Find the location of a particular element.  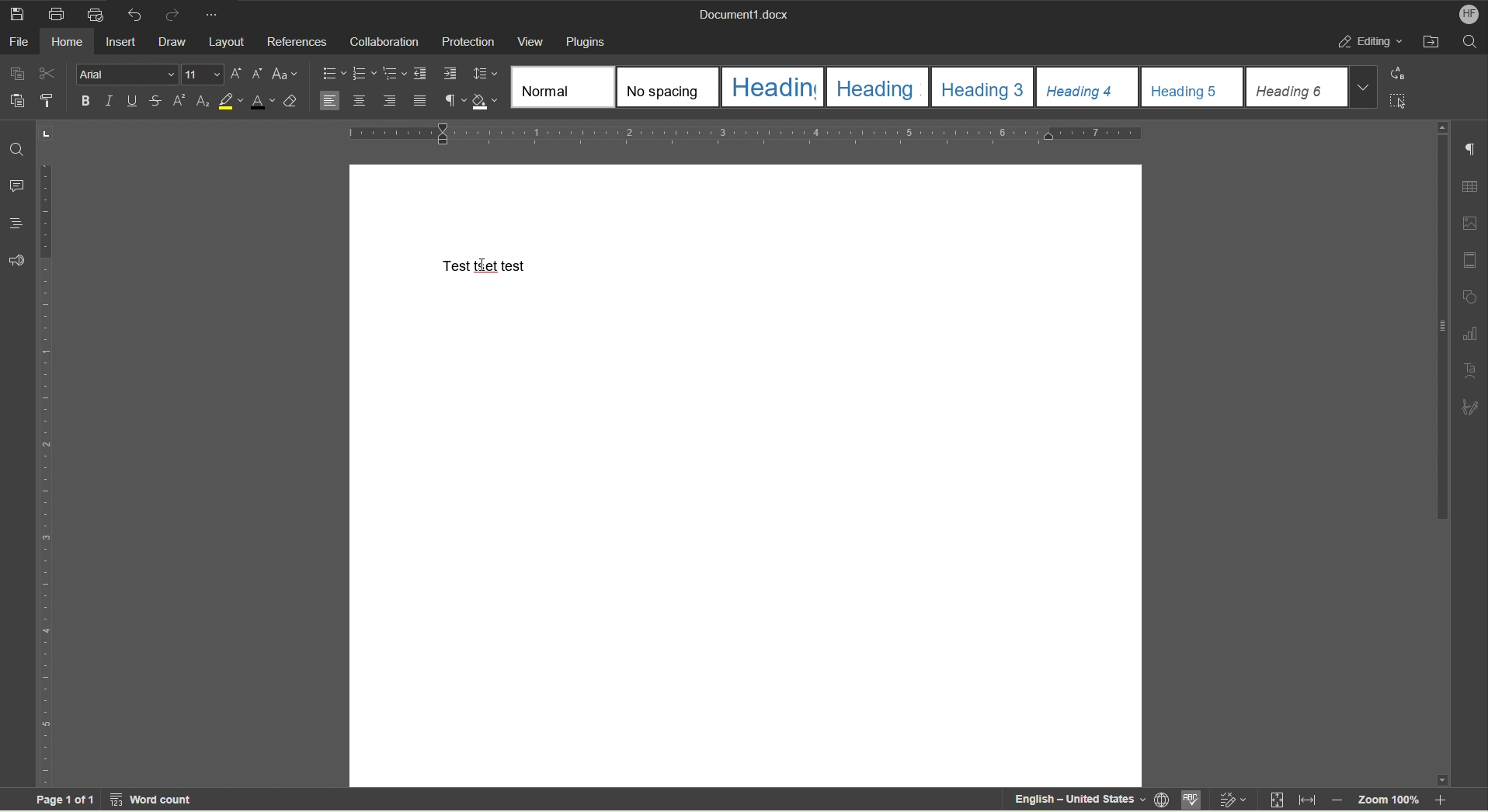

Heading 3 is located at coordinates (985, 87).